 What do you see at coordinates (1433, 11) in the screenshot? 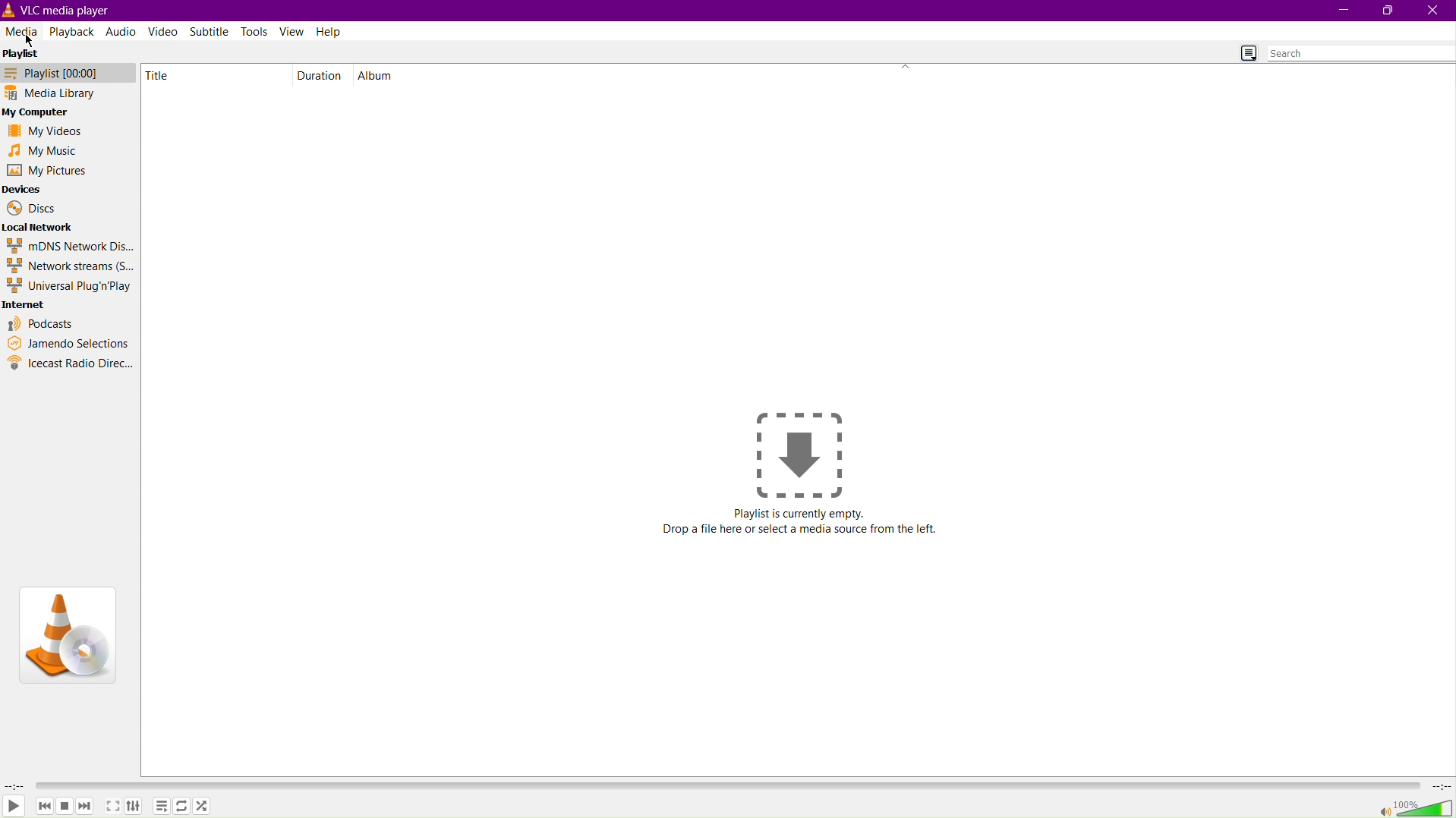
I see `Close` at bounding box center [1433, 11].